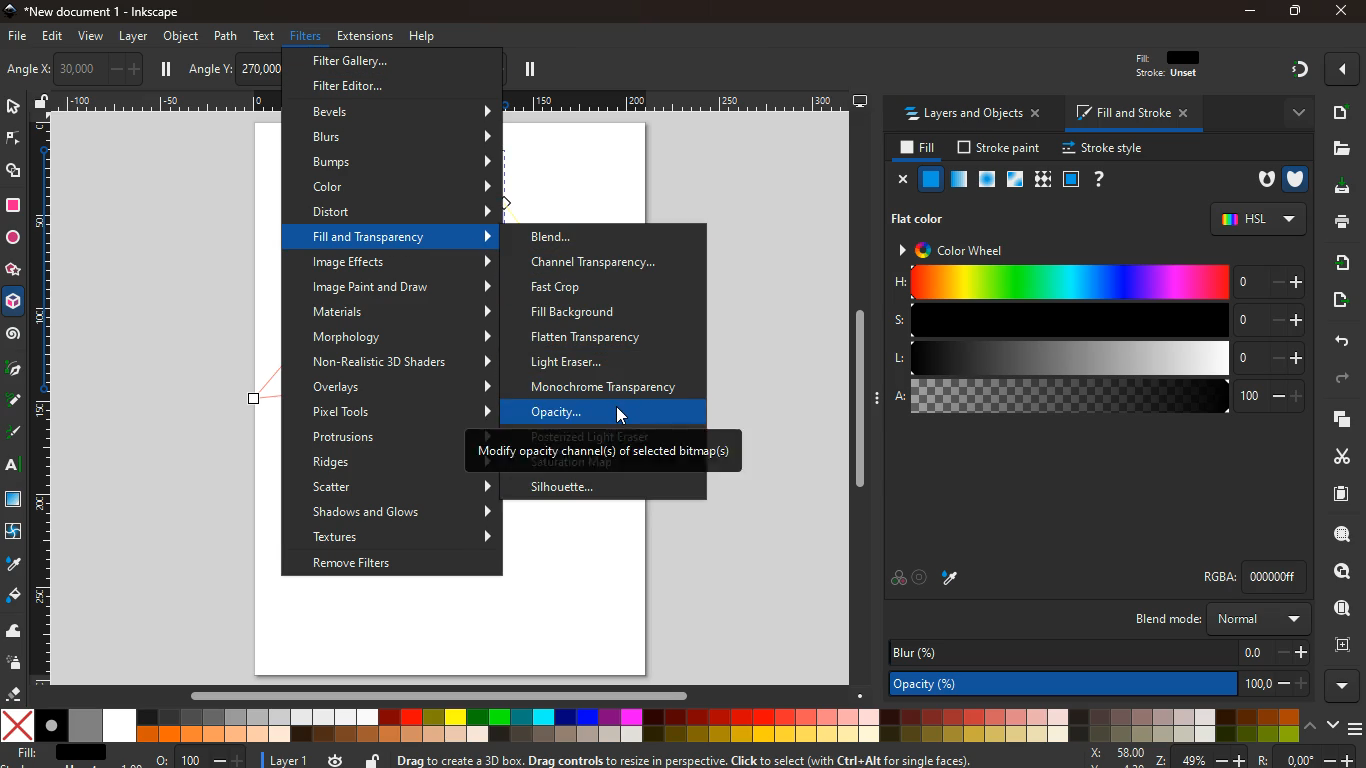  Describe the element at coordinates (1169, 69) in the screenshot. I see `filt` at that location.